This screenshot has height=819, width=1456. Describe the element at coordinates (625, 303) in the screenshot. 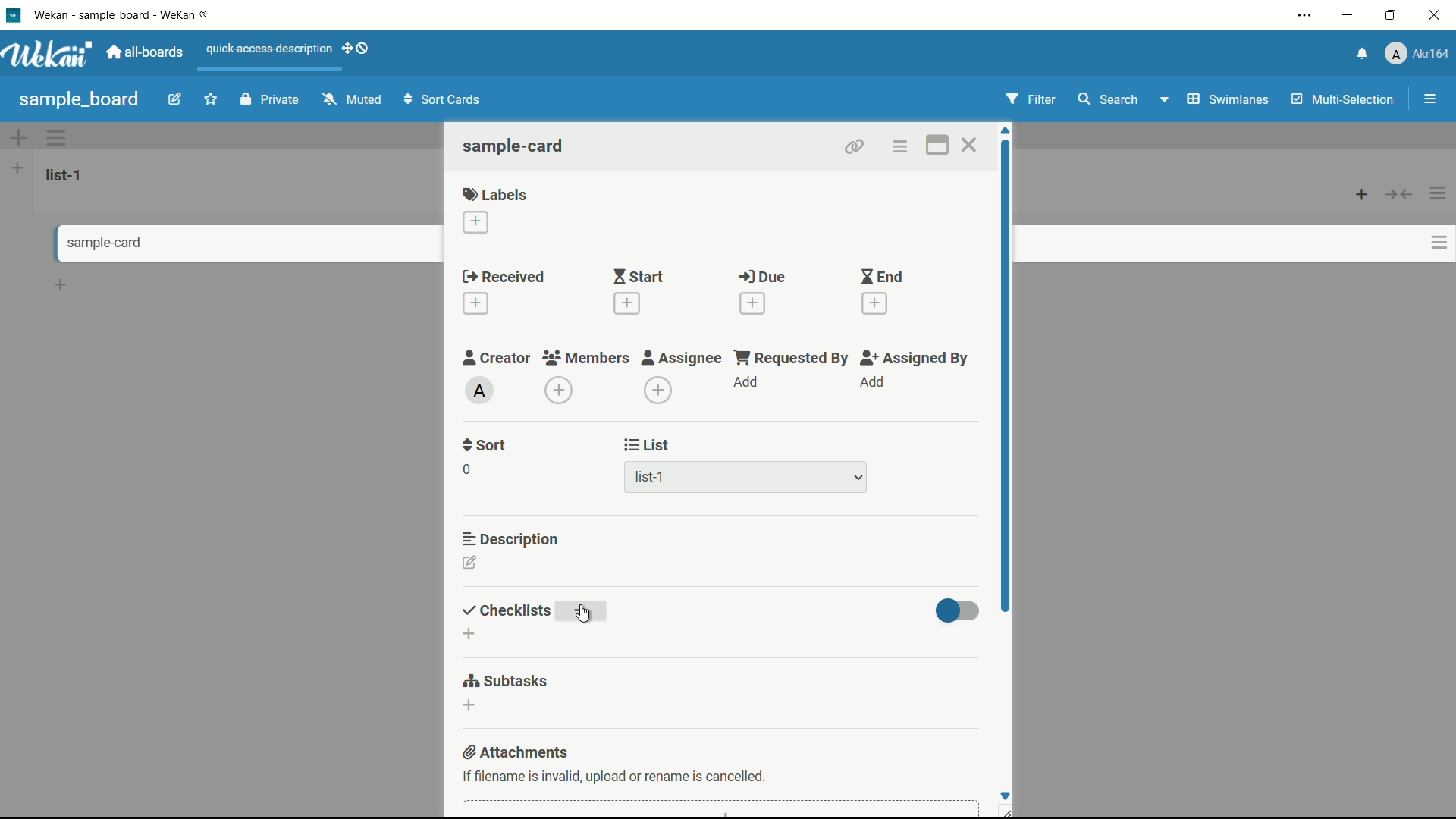

I see `add date` at that location.